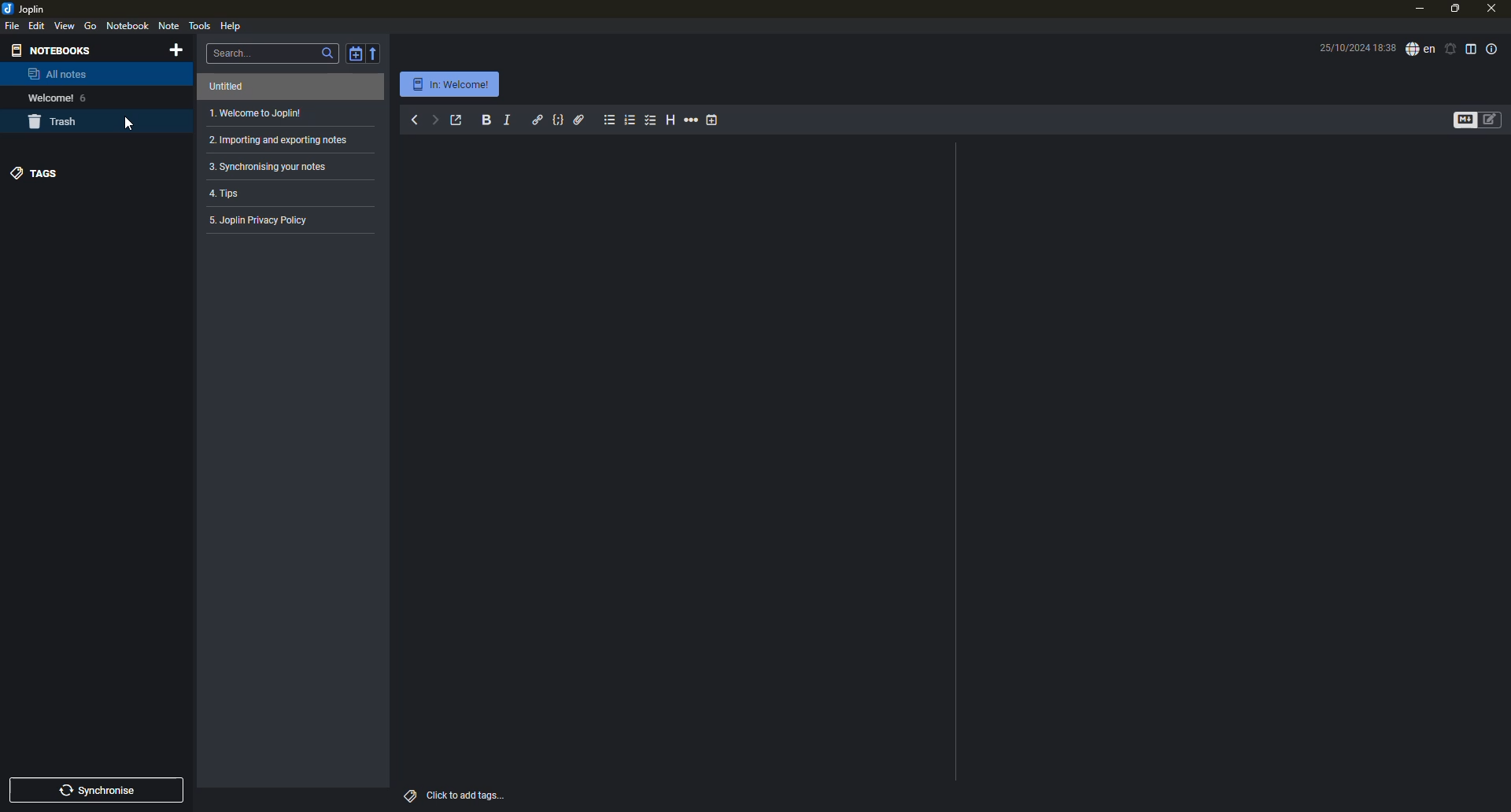  Describe the element at coordinates (91, 26) in the screenshot. I see `go` at that location.